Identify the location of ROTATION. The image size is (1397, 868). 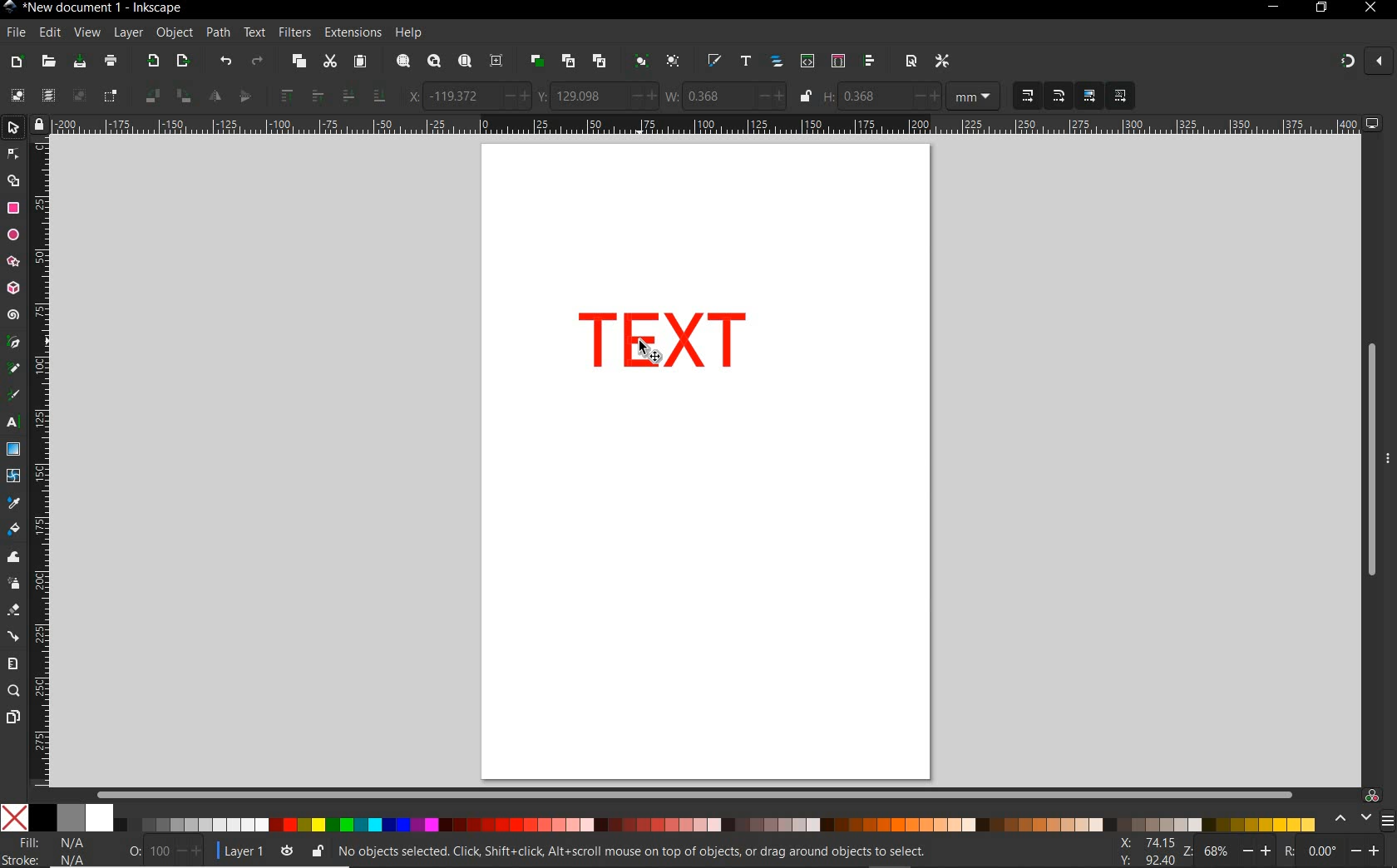
(1330, 852).